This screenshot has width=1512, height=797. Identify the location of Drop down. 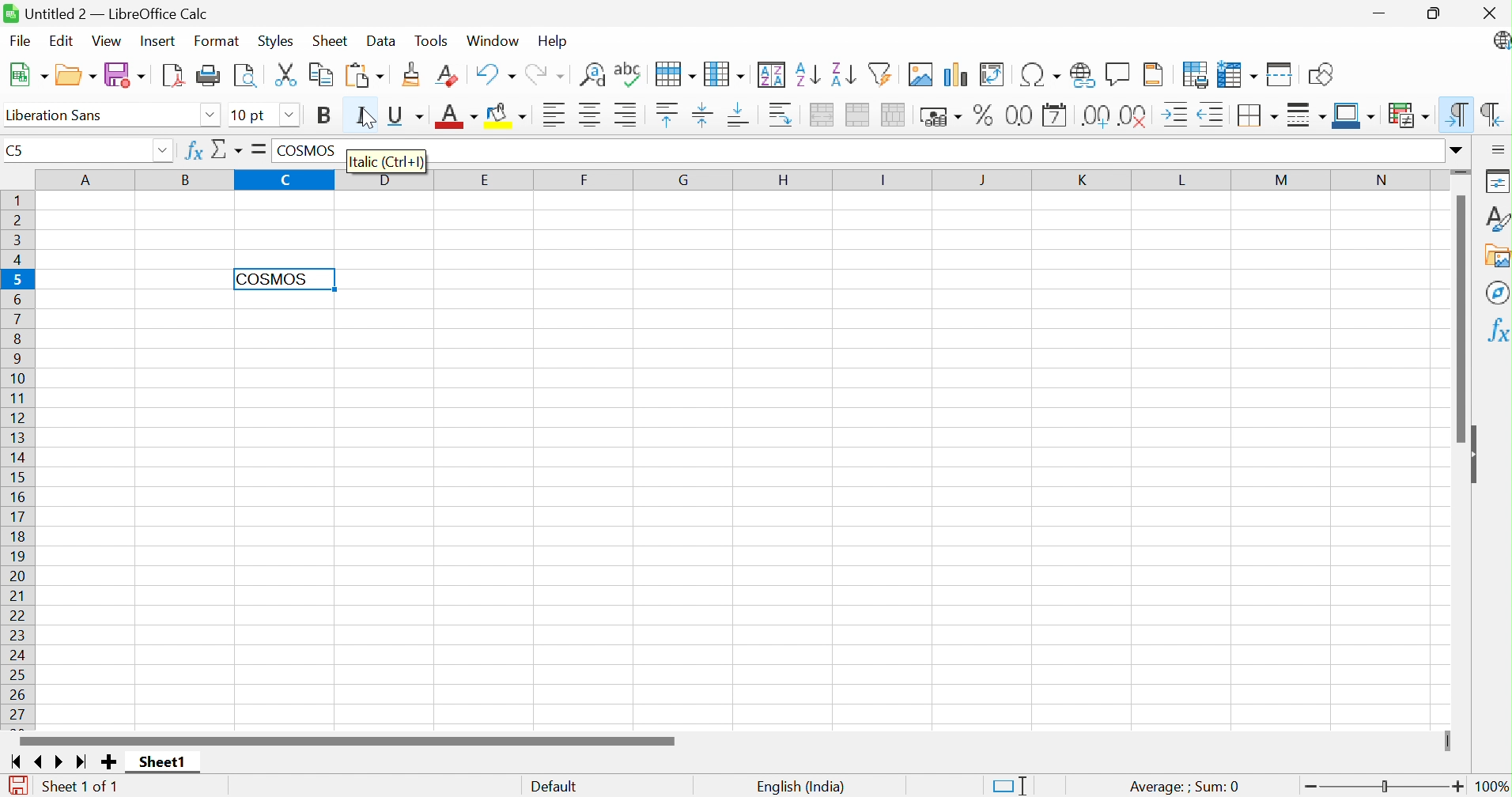
(292, 116).